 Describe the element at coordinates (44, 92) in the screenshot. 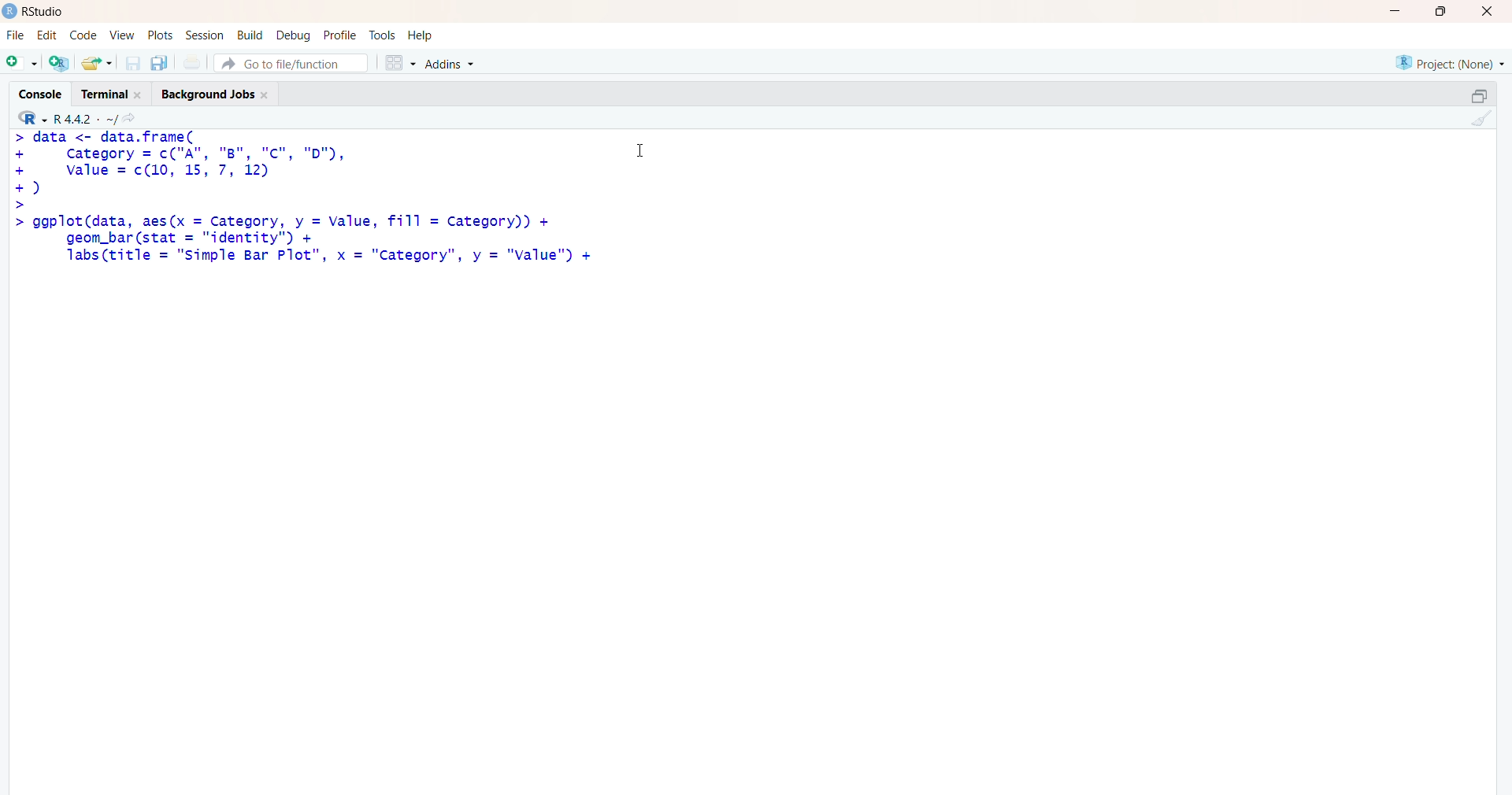

I see `Console` at that location.